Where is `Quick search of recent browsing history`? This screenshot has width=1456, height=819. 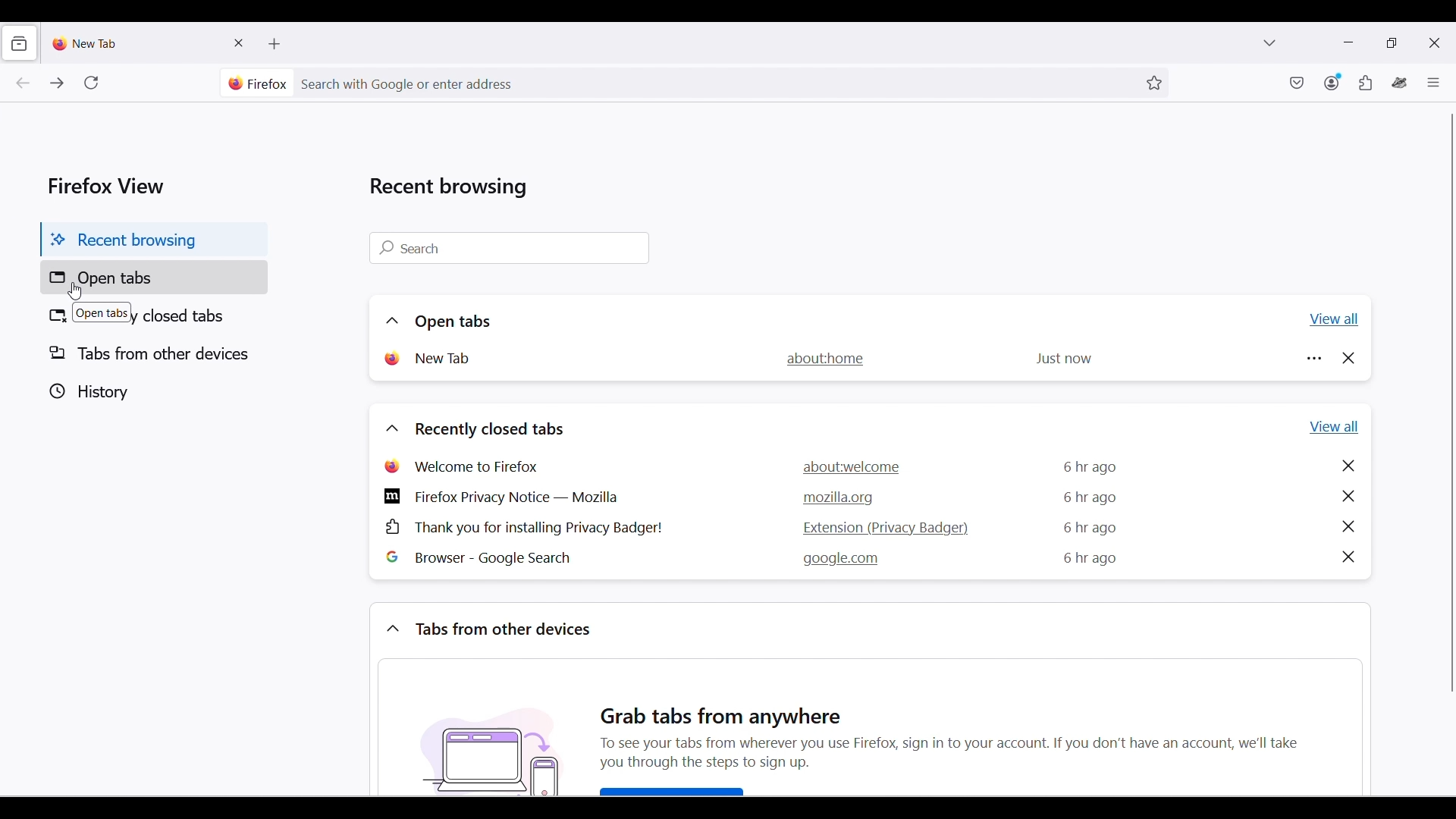
Quick search of recent browsing history is located at coordinates (509, 248).